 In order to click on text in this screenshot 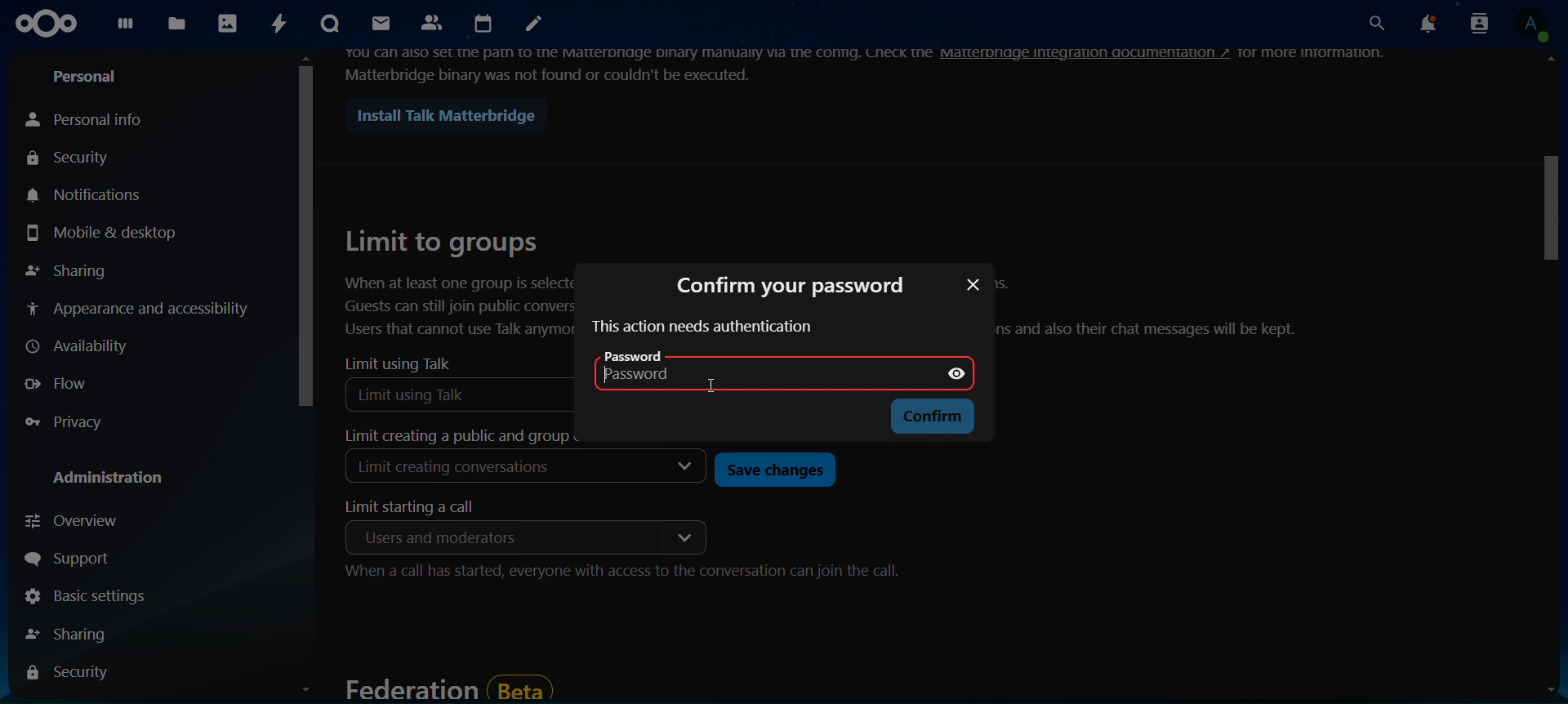, I will do `click(1312, 51)`.